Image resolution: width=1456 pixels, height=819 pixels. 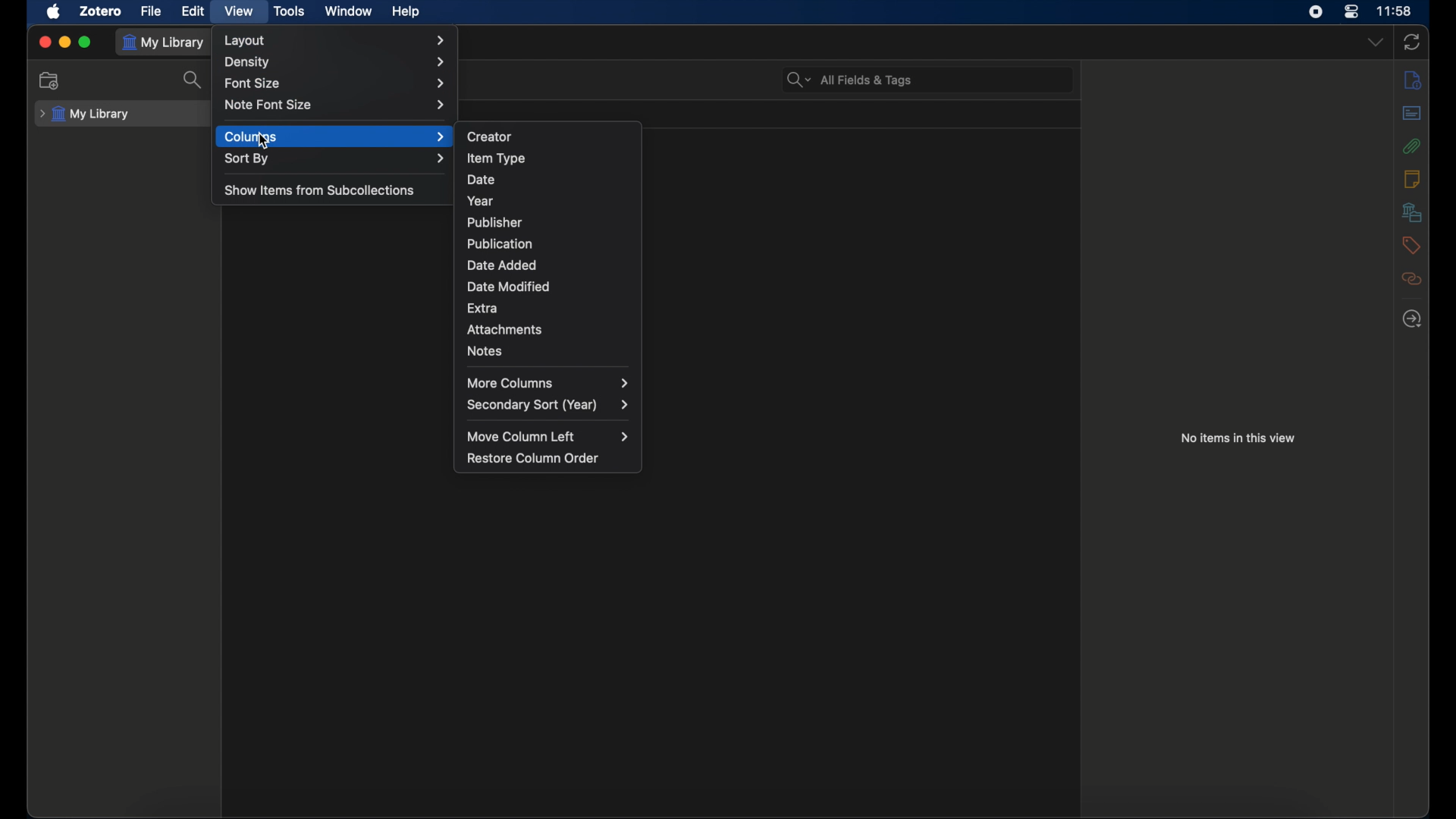 What do you see at coordinates (195, 11) in the screenshot?
I see `edit` at bounding box center [195, 11].